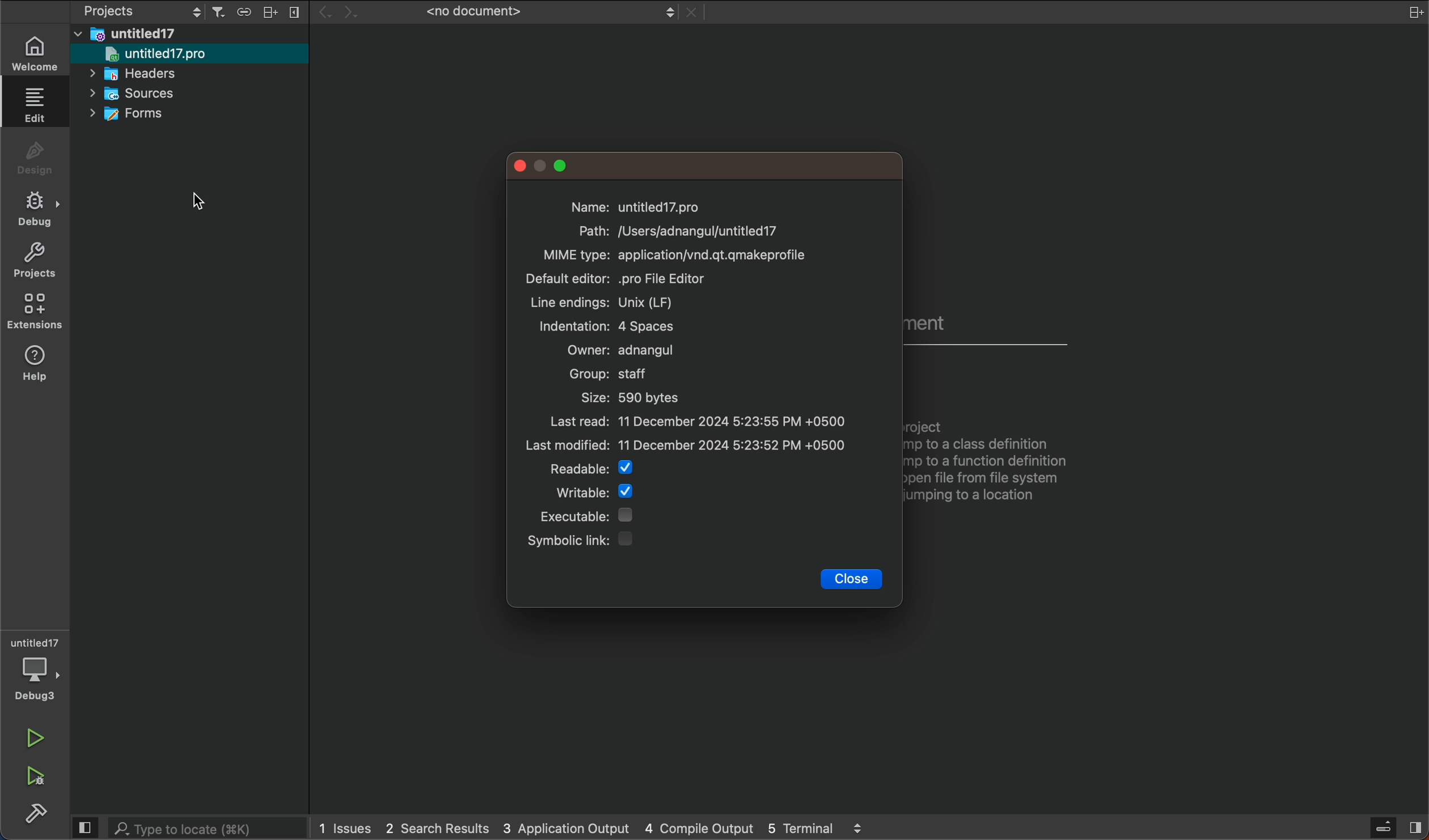  I want to click on , so click(246, 12).